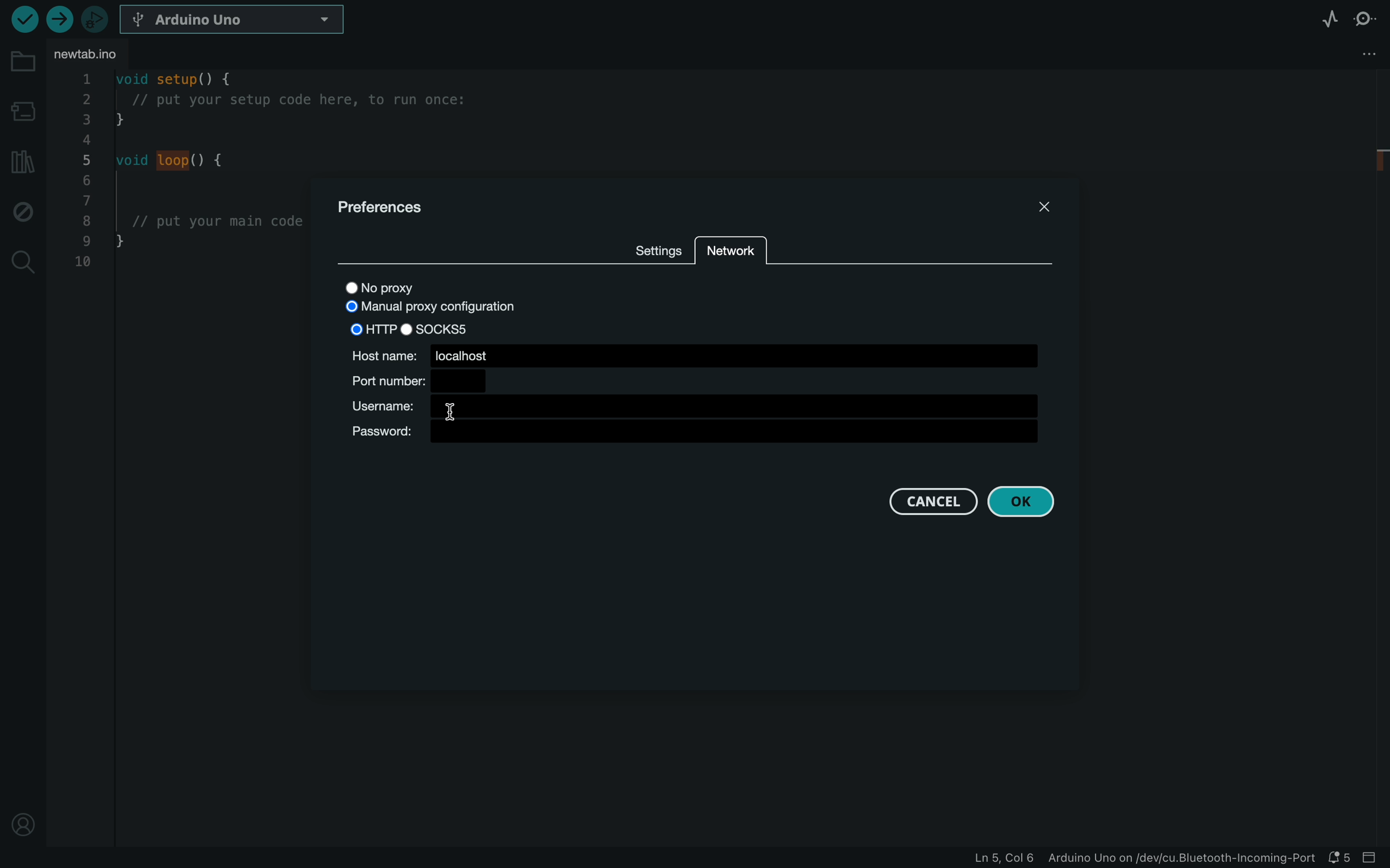 The width and height of the screenshot is (1390, 868). I want to click on prefernces, so click(384, 208).